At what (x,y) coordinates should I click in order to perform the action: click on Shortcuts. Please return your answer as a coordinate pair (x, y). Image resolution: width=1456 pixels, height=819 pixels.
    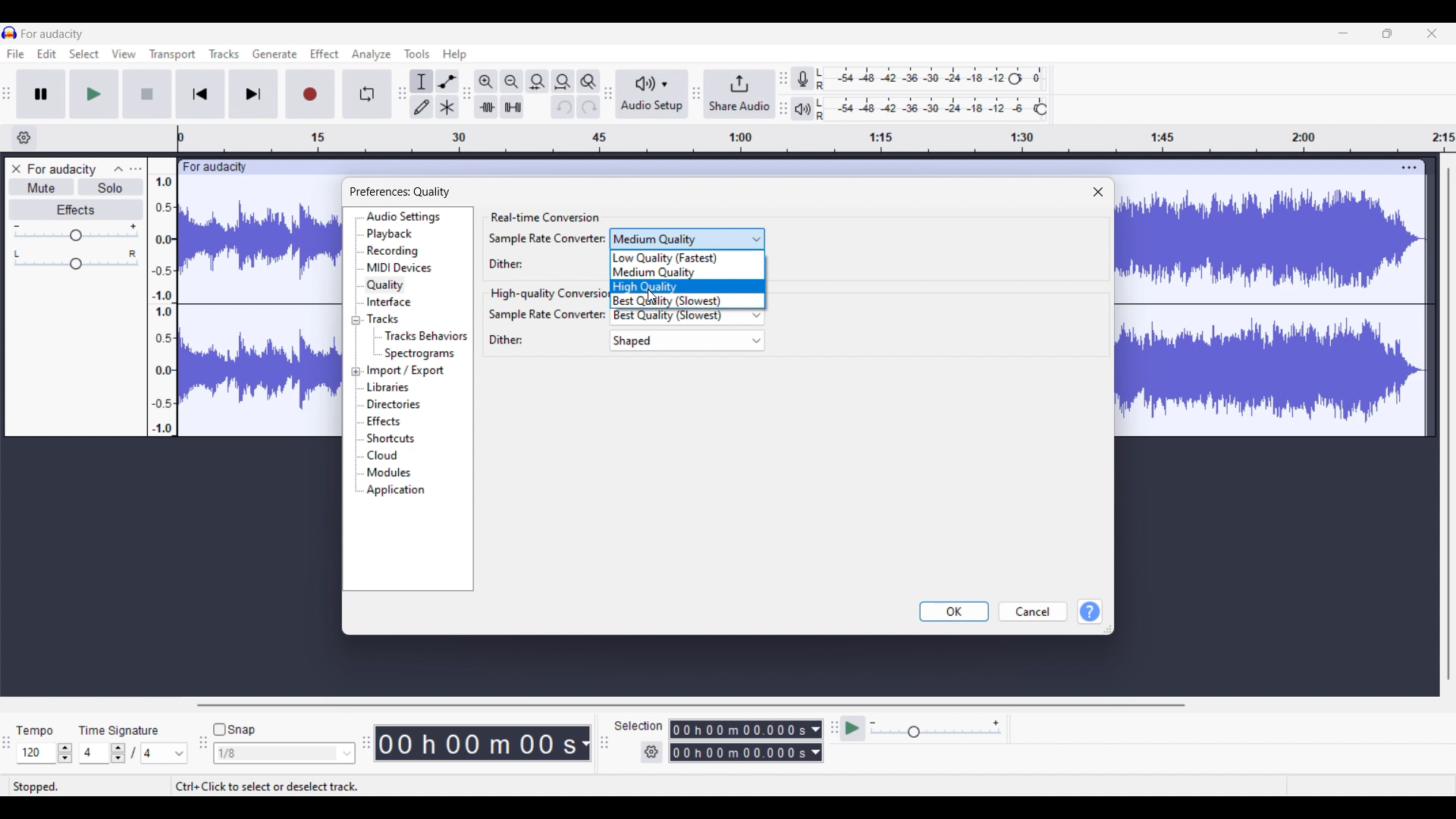
    Looking at the image, I should click on (391, 438).